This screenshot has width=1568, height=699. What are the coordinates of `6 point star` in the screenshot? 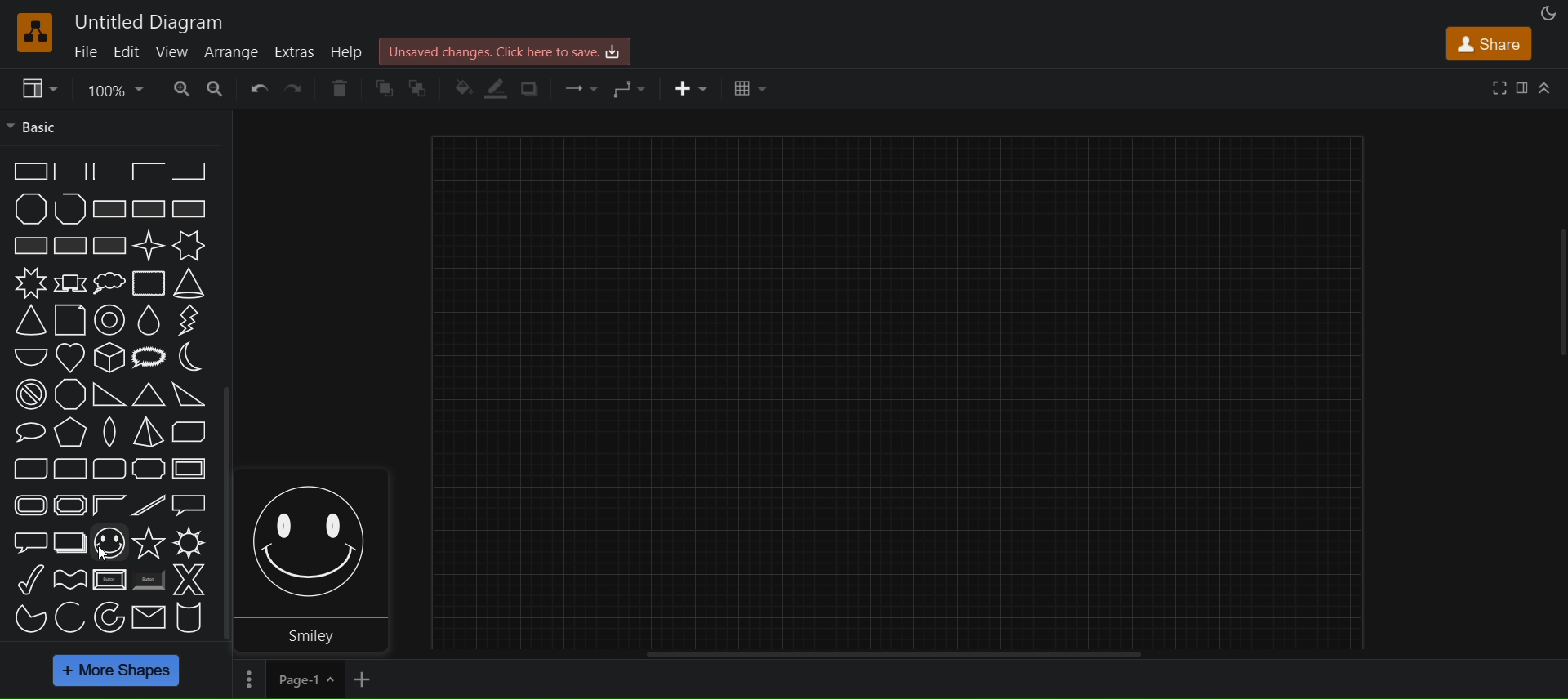 It's located at (187, 246).